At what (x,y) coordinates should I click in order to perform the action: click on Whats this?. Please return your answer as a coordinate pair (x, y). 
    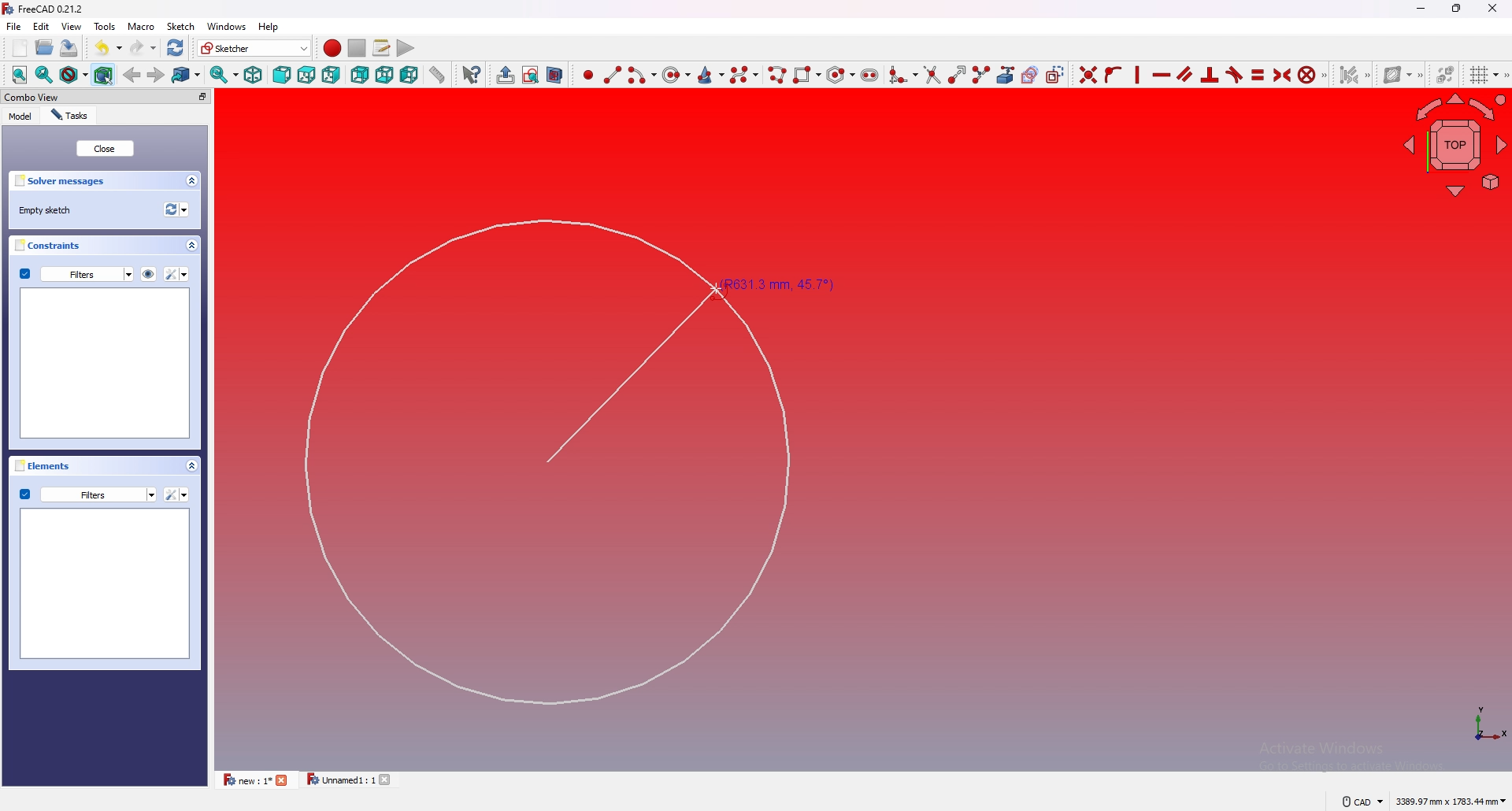
    Looking at the image, I should click on (472, 74).